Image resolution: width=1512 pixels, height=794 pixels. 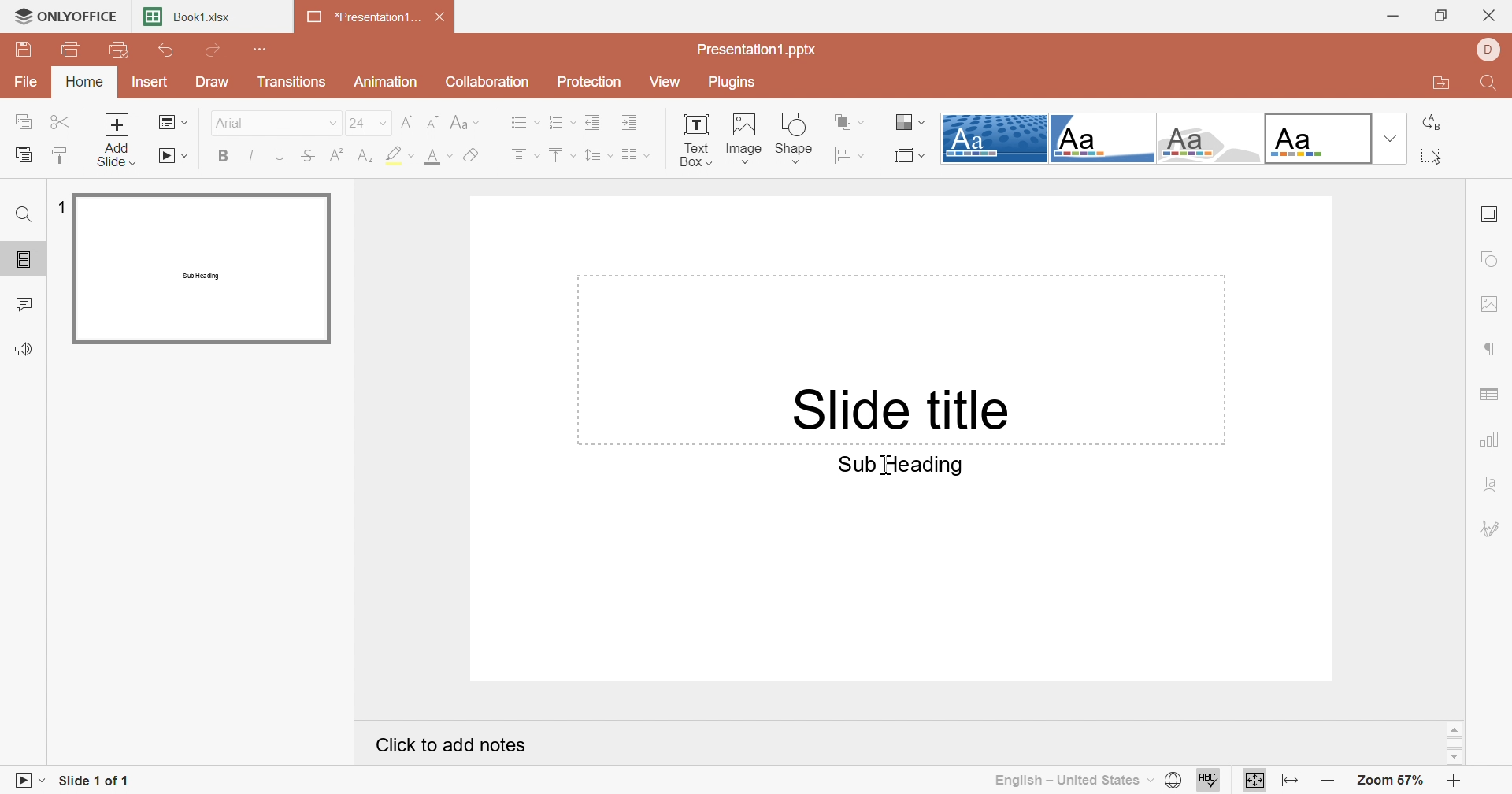 What do you see at coordinates (1496, 484) in the screenshot?
I see `Text Art settings` at bounding box center [1496, 484].